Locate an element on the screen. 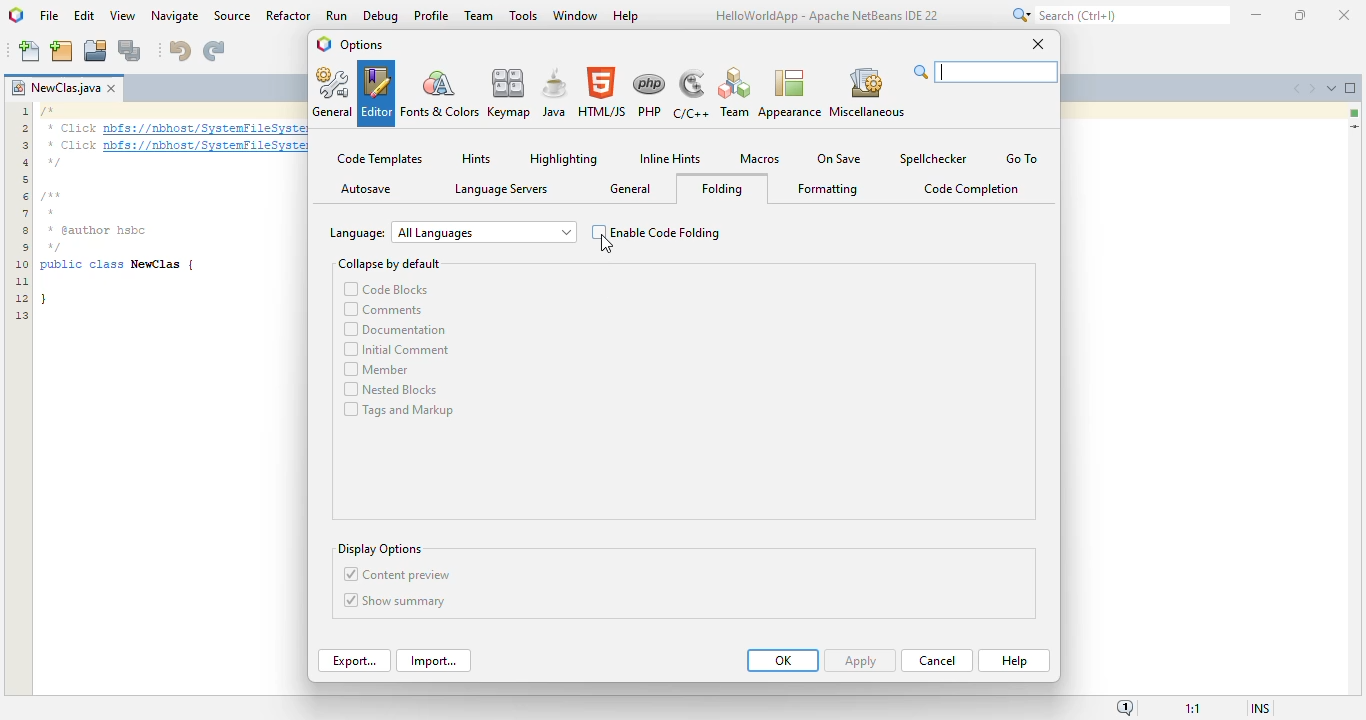 The image size is (1366, 720). magnification ratio is located at coordinates (1193, 709).